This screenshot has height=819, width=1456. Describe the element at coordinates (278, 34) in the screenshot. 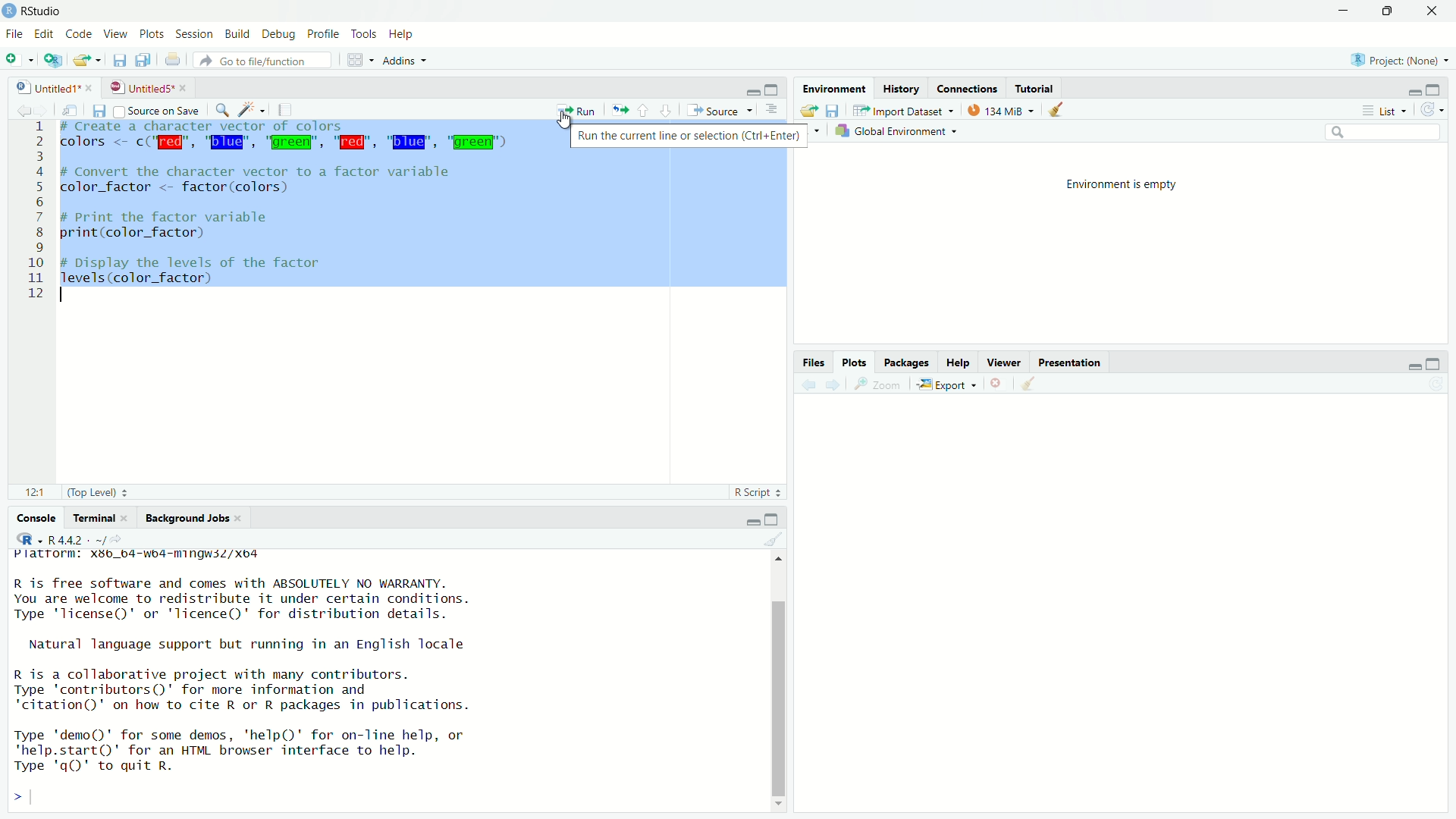

I see `debug` at that location.